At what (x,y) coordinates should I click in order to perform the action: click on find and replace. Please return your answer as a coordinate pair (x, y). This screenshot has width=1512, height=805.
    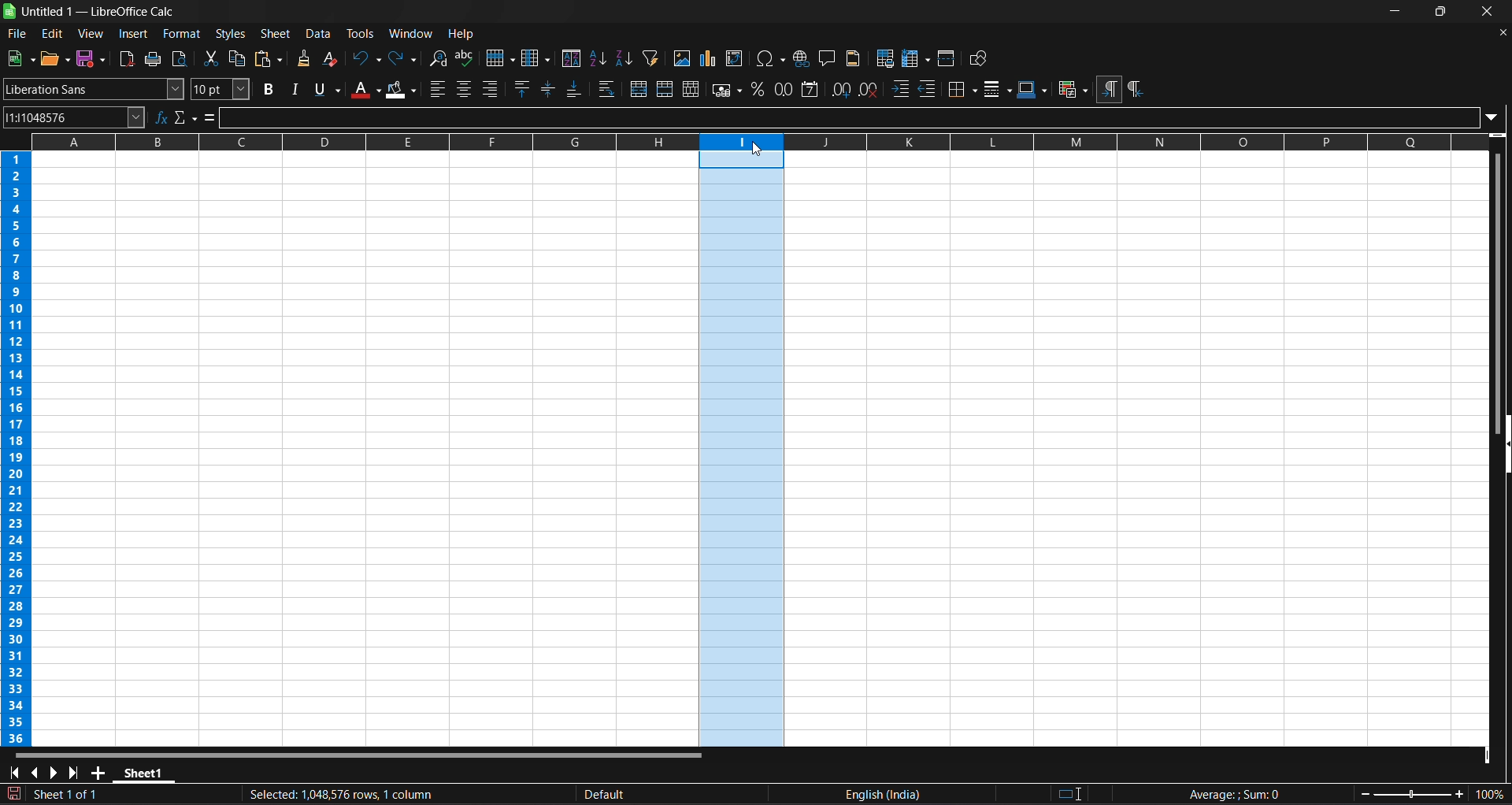
    Looking at the image, I should click on (438, 58).